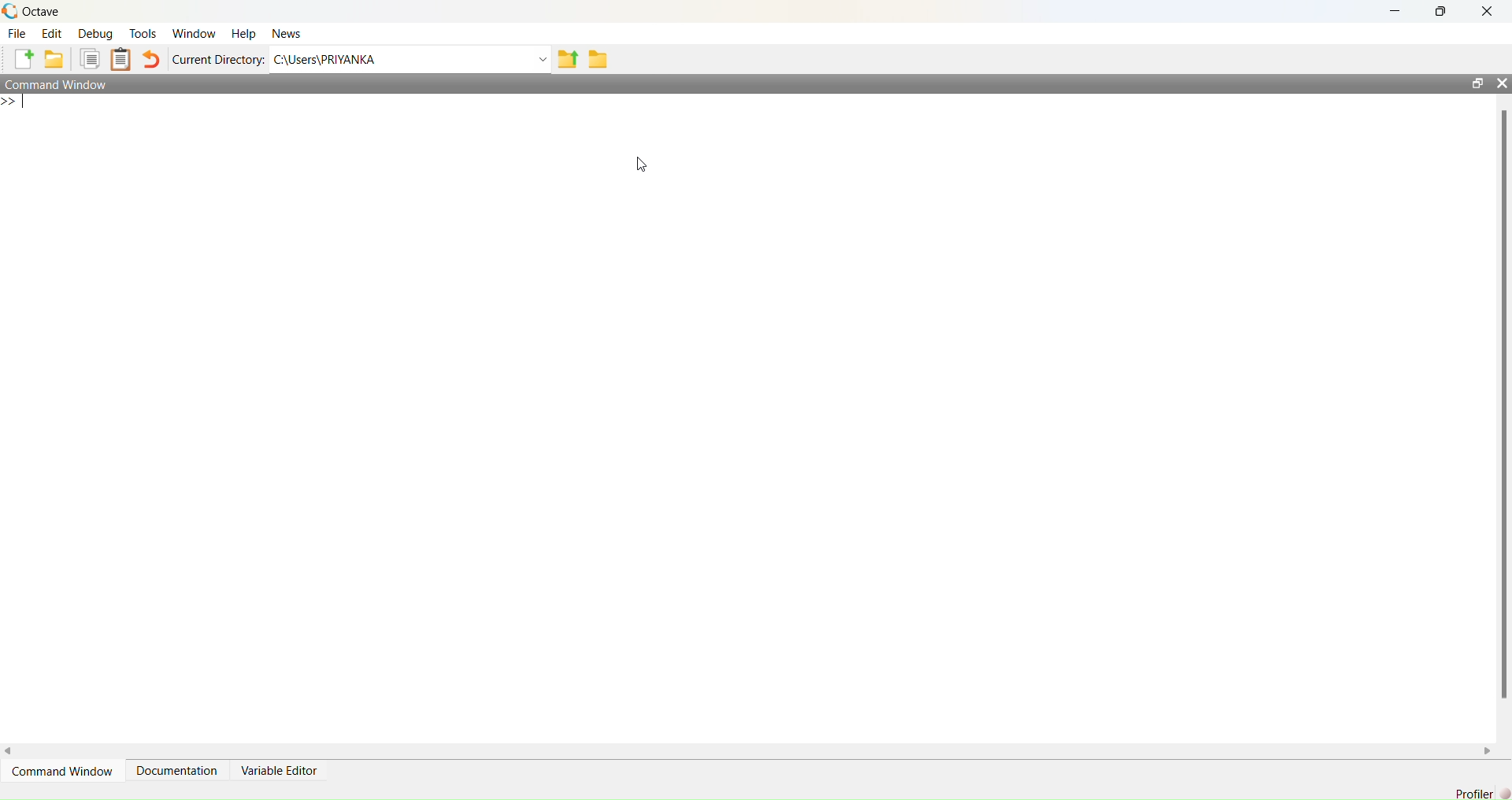 This screenshot has width=1512, height=800. I want to click on Drop-down , so click(543, 59).